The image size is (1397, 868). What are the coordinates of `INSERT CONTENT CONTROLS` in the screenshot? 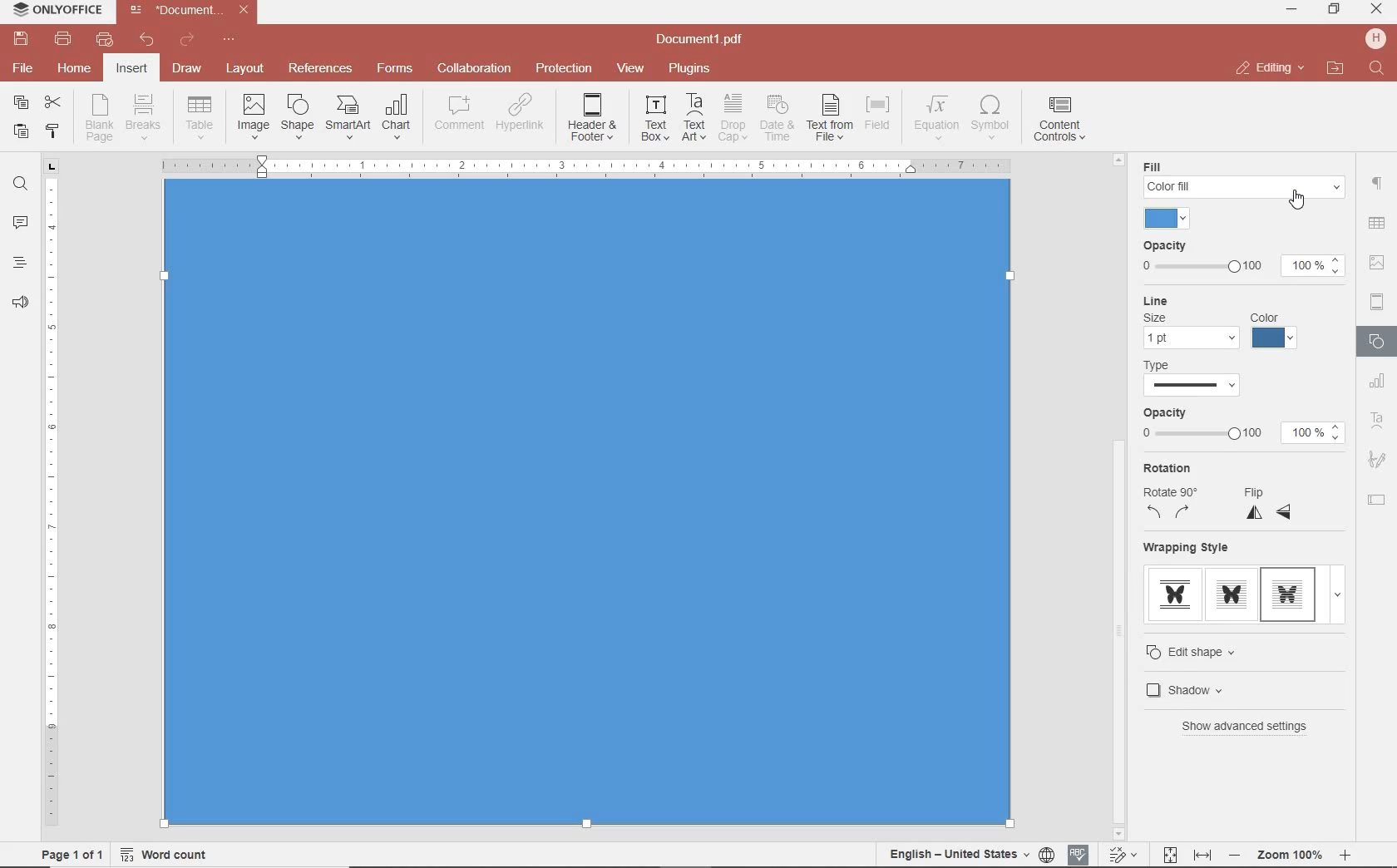 It's located at (1059, 120).